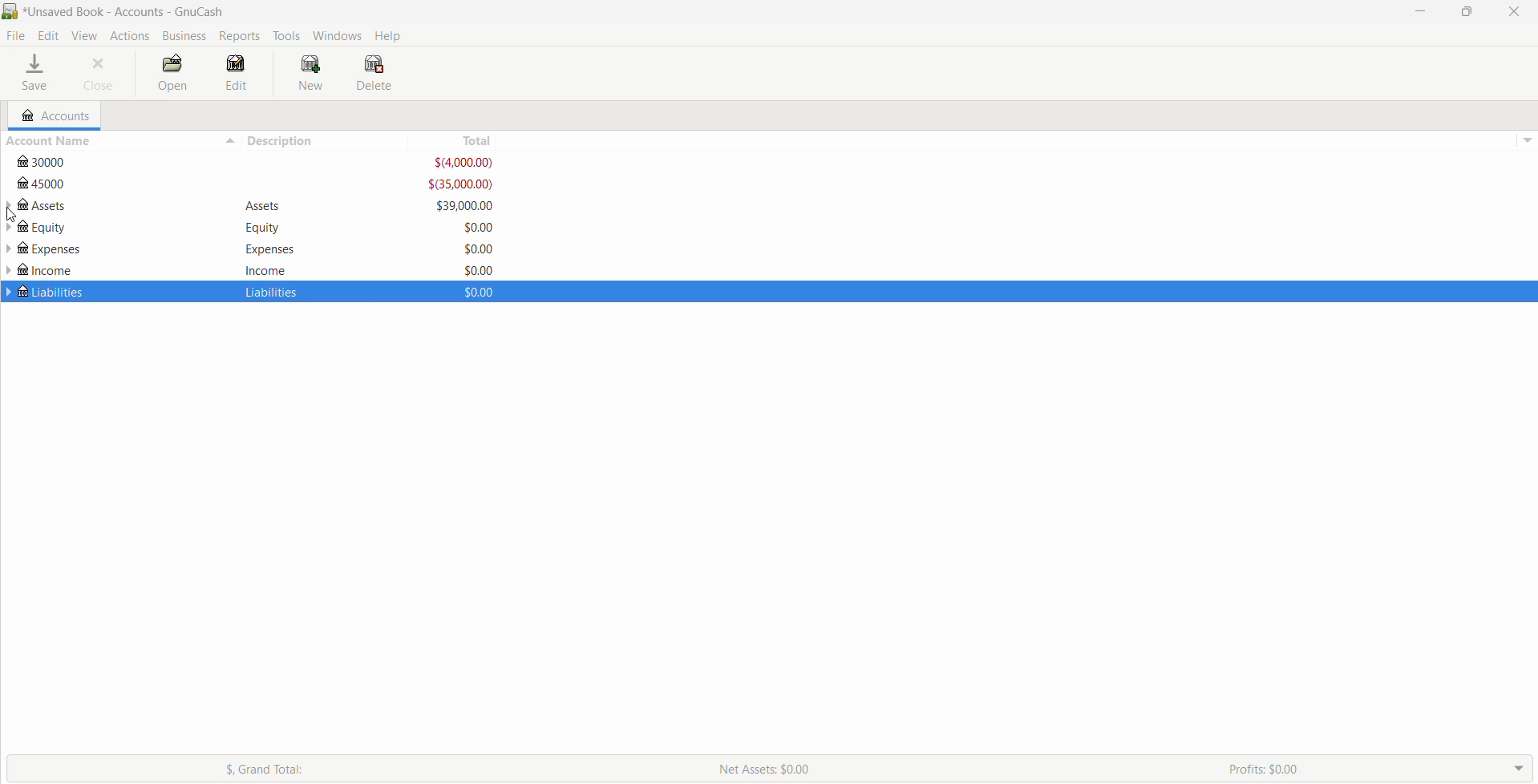 This screenshot has height=784, width=1538. Describe the element at coordinates (344, 770) in the screenshot. I see `Grand Total` at that location.